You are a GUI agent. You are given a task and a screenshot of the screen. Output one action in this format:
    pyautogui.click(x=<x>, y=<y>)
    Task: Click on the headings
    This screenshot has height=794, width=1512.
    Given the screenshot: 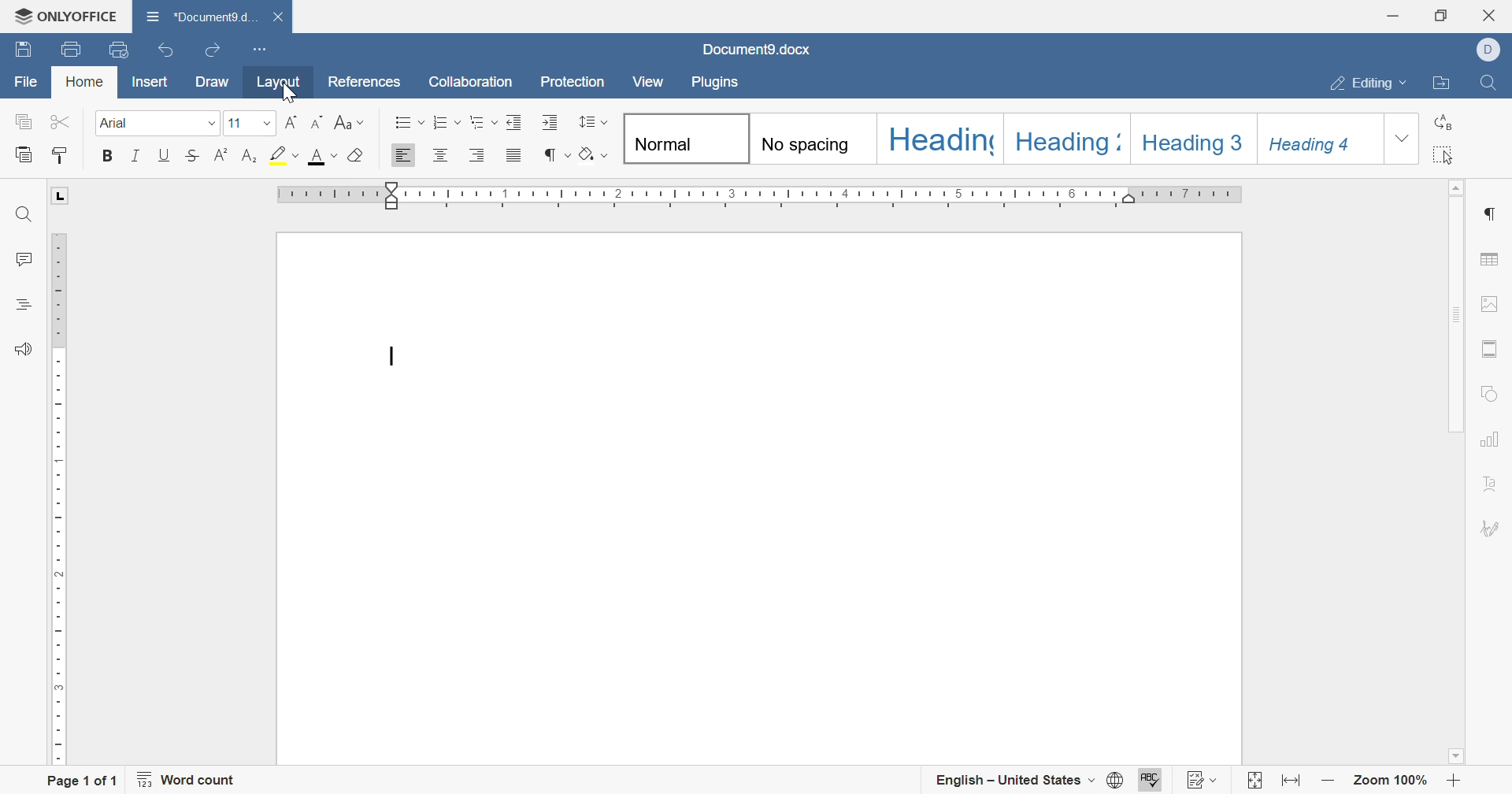 What is the action you would take?
    pyautogui.click(x=21, y=304)
    